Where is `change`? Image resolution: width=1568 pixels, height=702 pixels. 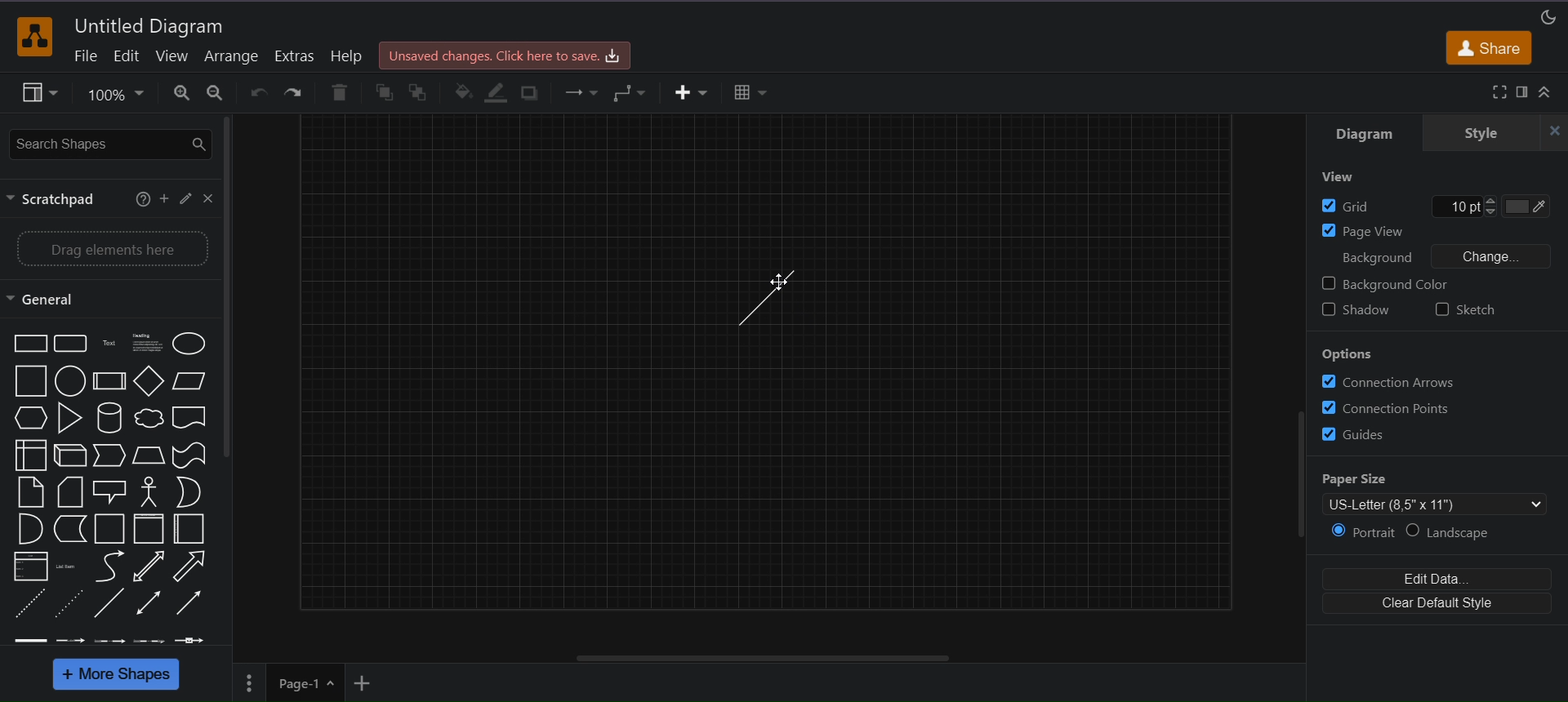 change is located at coordinates (1512, 257).